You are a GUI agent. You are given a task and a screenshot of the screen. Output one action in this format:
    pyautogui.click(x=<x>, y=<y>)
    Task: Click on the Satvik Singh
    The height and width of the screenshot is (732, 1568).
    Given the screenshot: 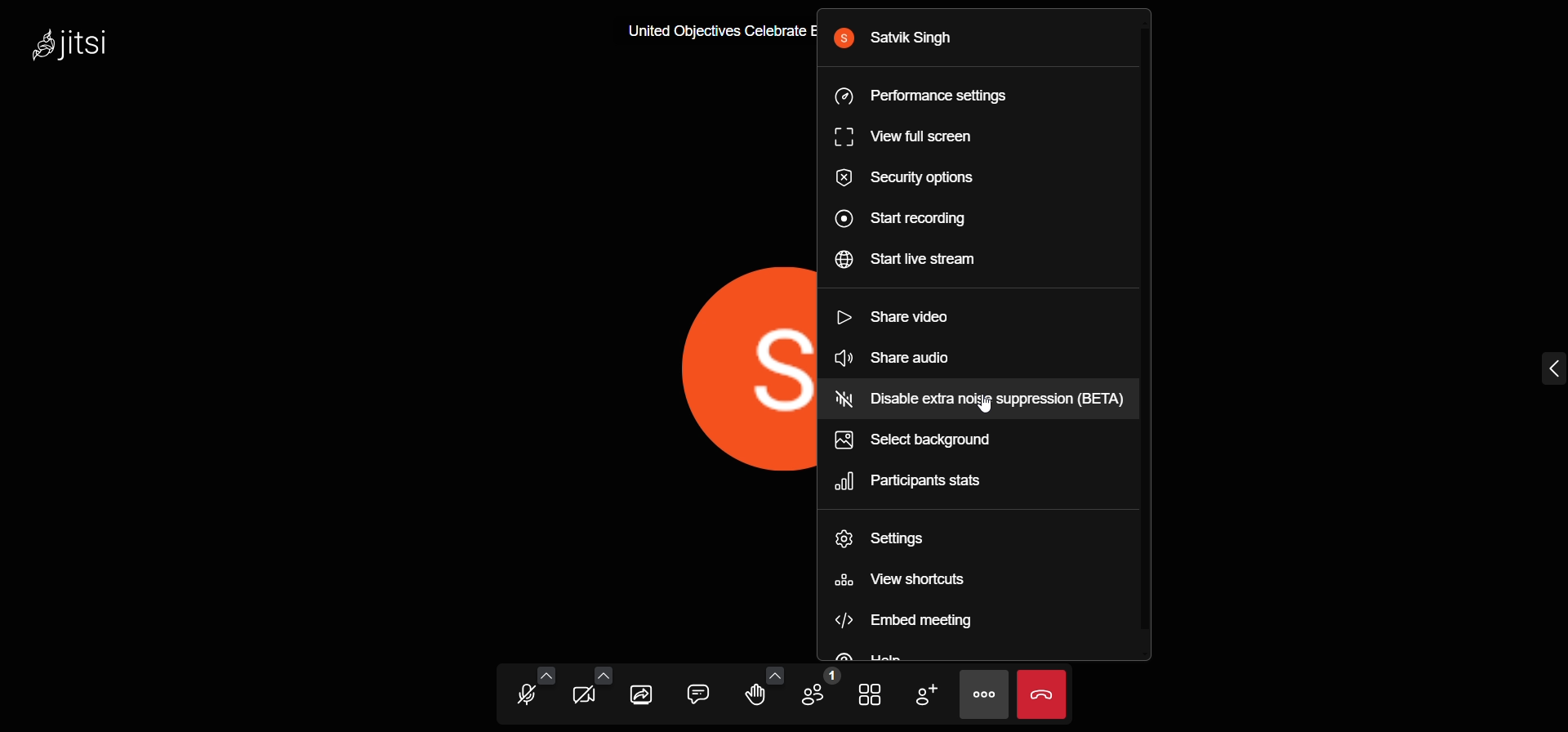 What is the action you would take?
    pyautogui.click(x=895, y=38)
    